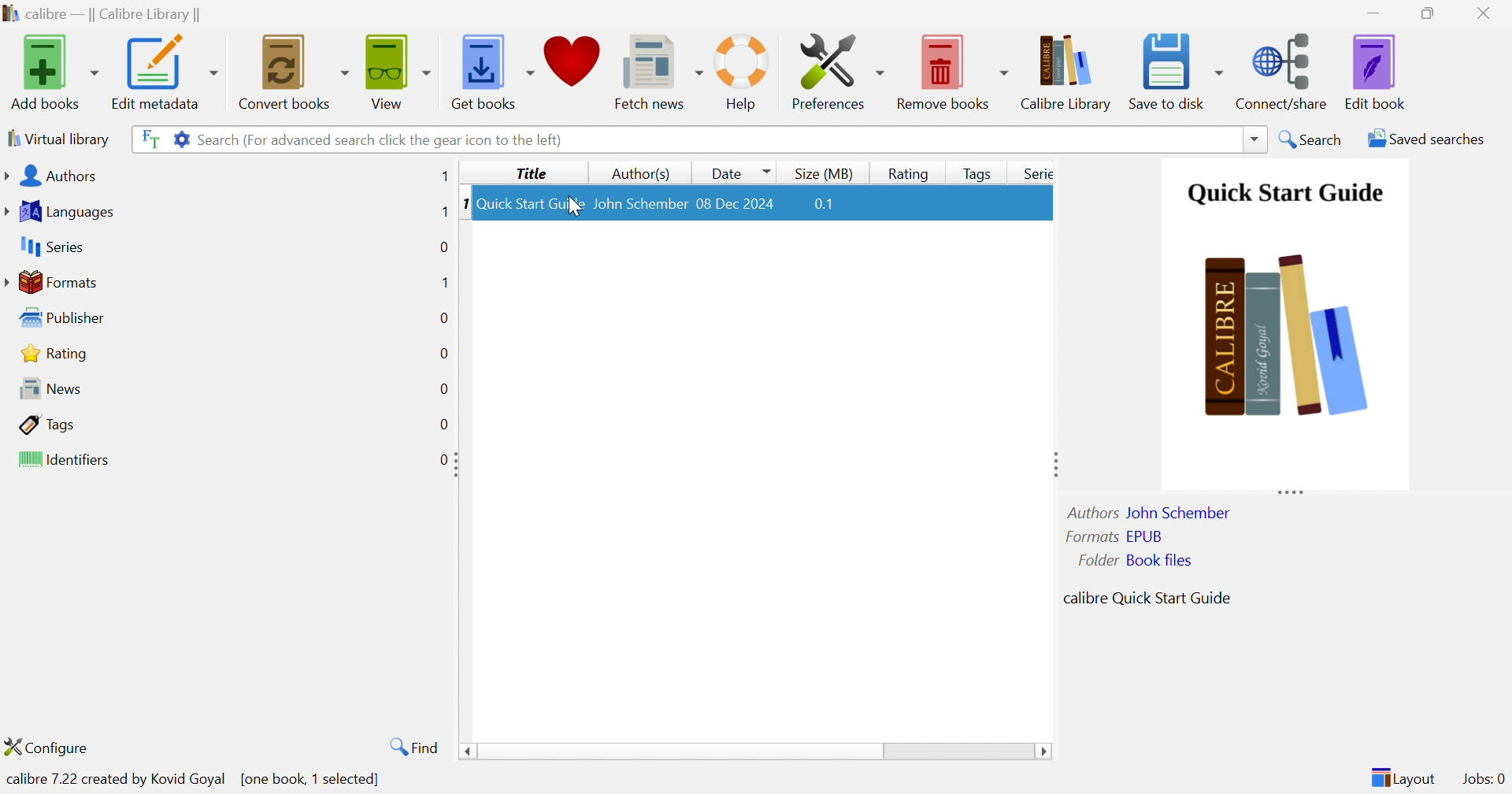 The width and height of the screenshot is (1512, 794). Describe the element at coordinates (837, 71) in the screenshot. I see `Preferences` at that location.